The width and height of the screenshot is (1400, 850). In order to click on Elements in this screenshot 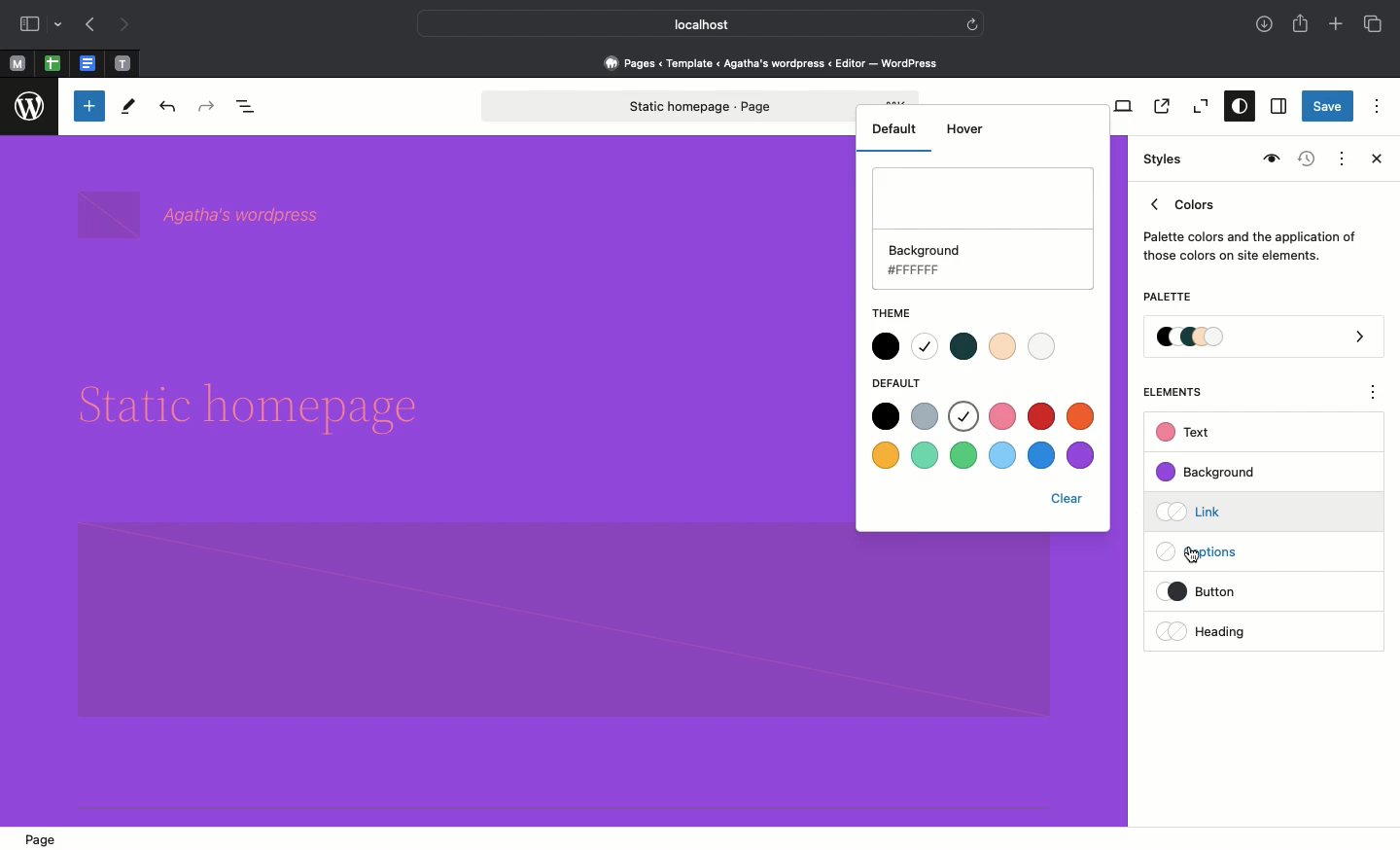, I will do `click(1183, 392)`.